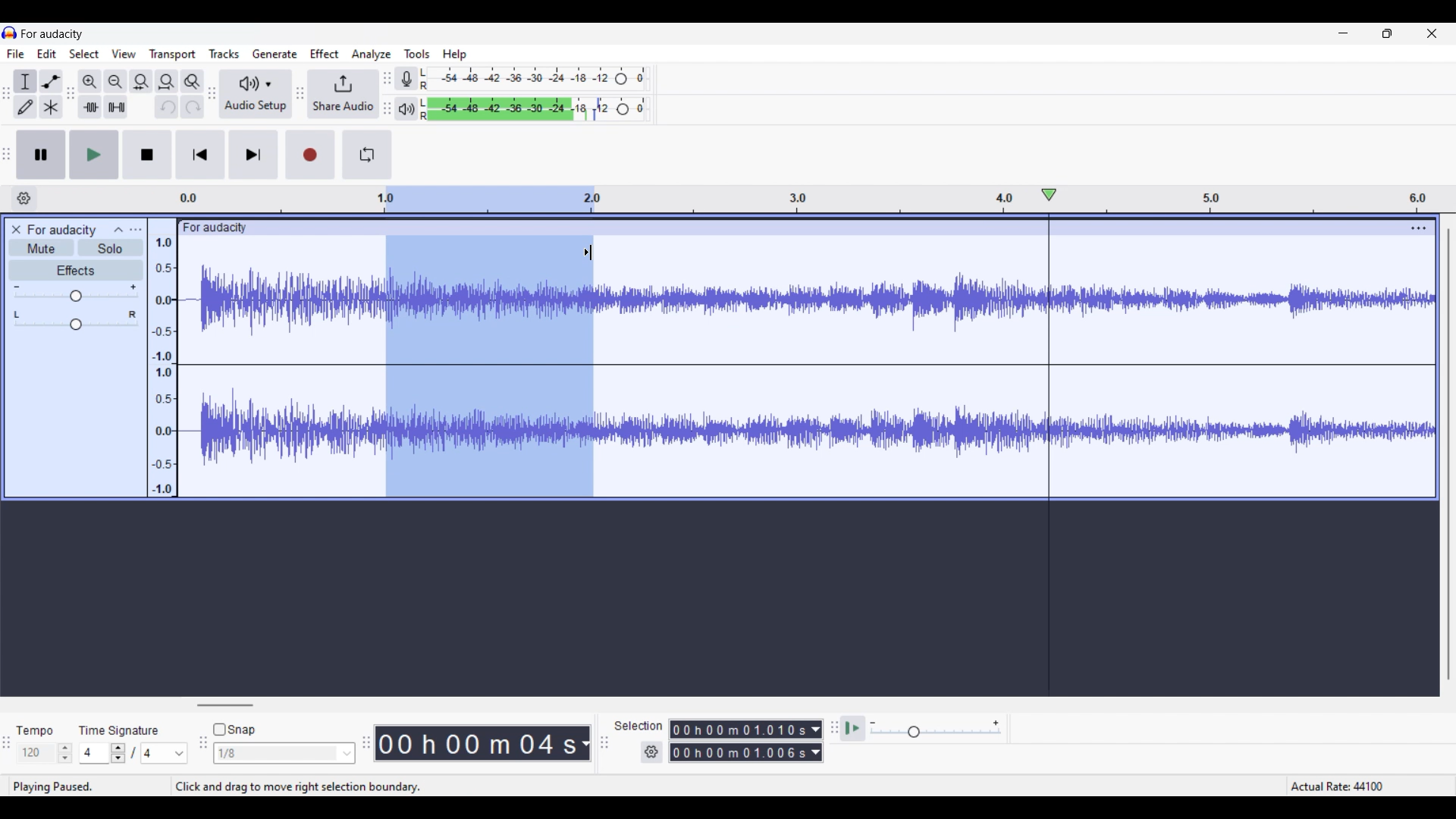 The height and width of the screenshot is (819, 1456). What do you see at coordinates (40, 248) in the screenshot?
I see `Mute` at bounding box center [40, 248].